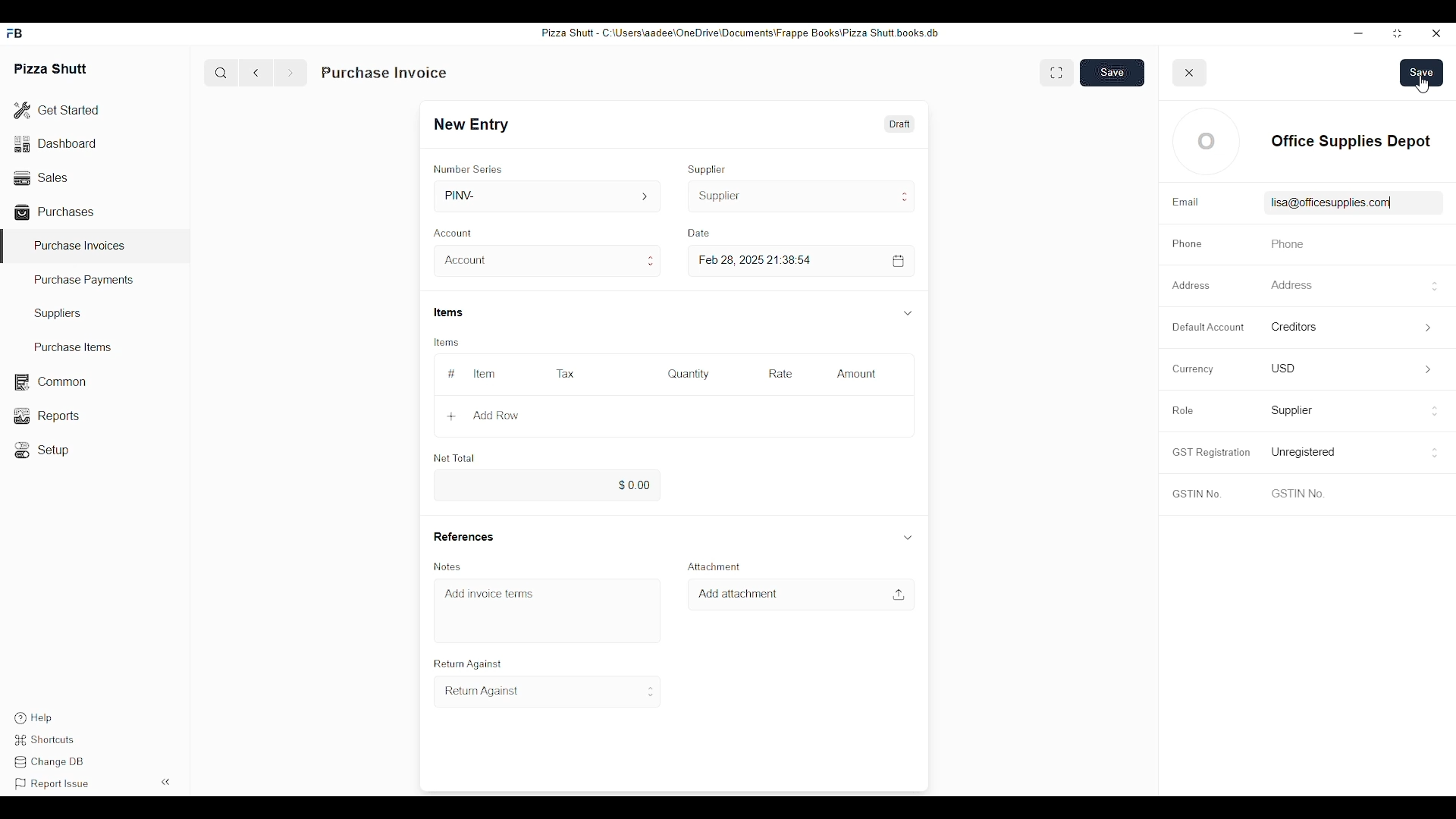  I want to click on Feb 28, 2025 21:38:54, so click(758, 260).